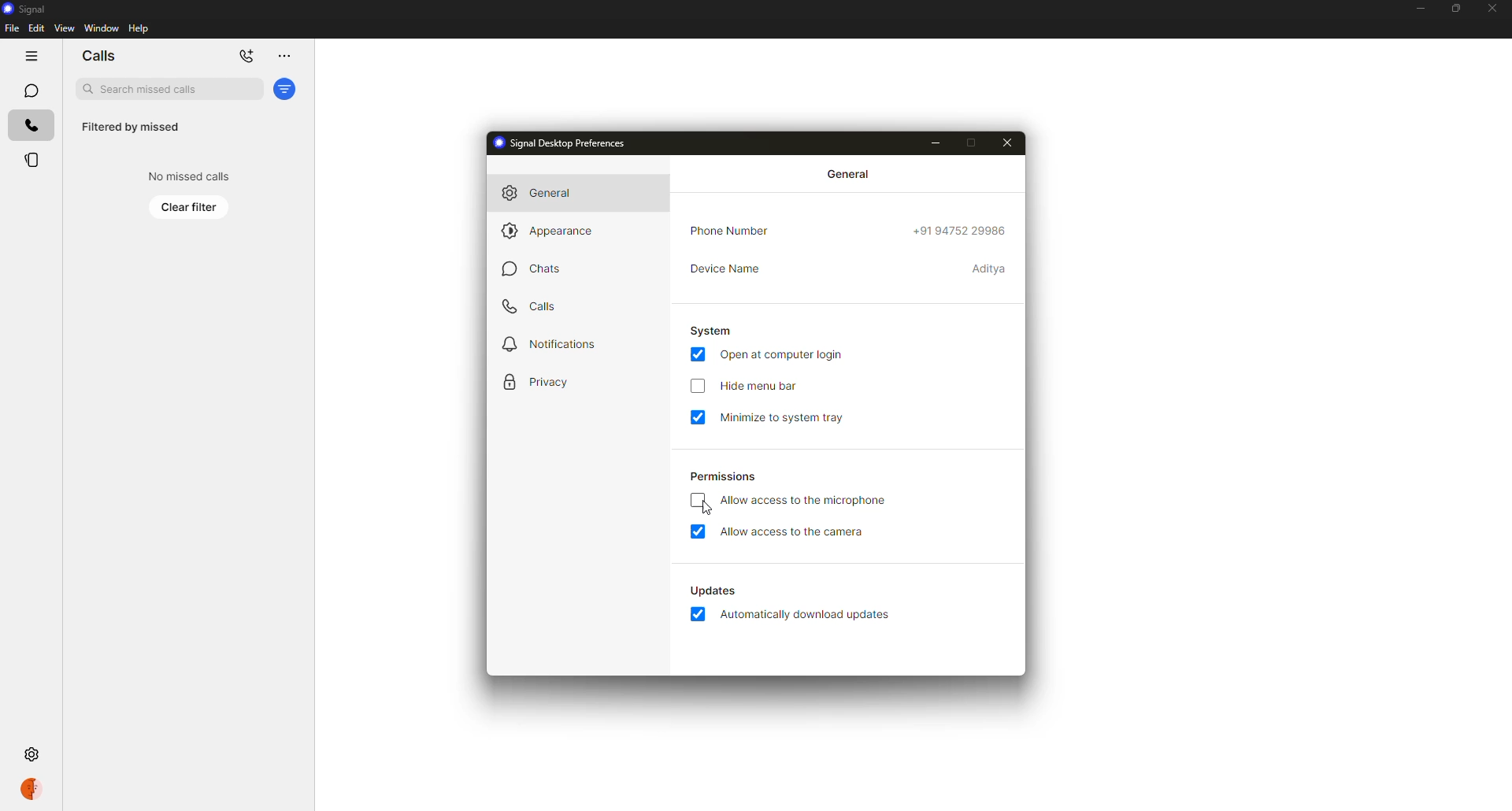  I want to click on search, so click(168, 89).